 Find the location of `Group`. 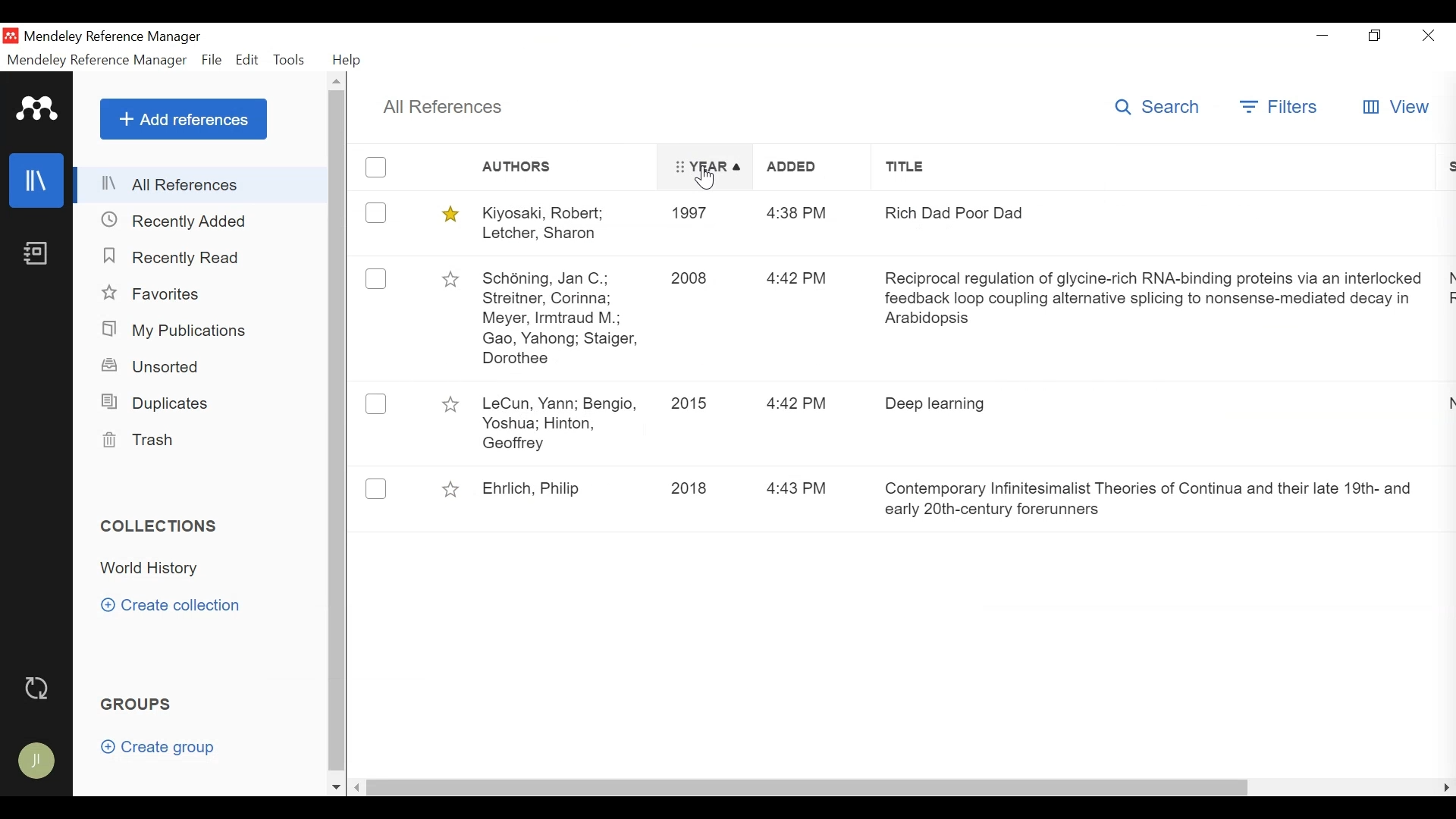

Group is located at coordinates (137, 703).